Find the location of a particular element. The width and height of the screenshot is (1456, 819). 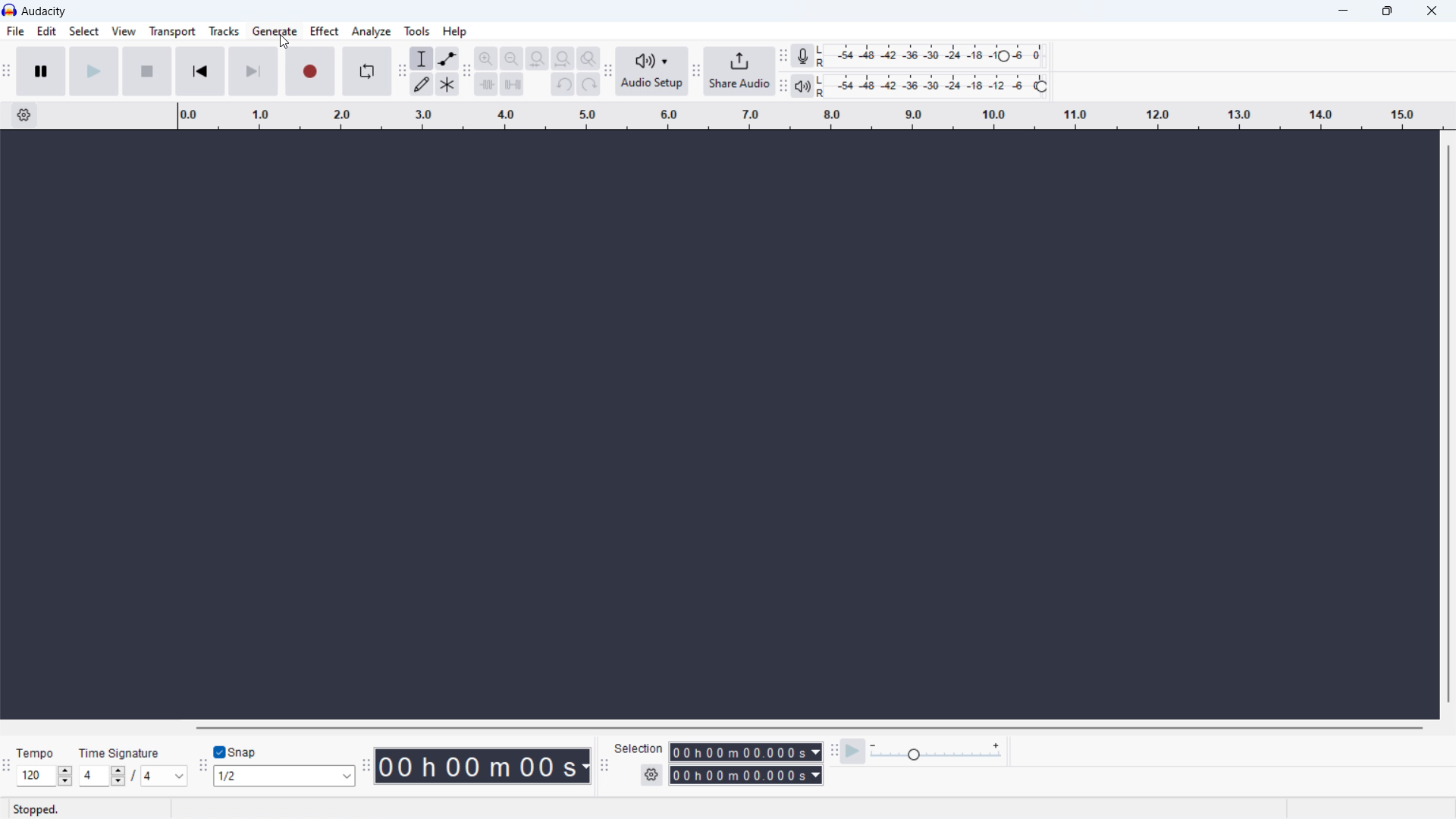

playback level is located at coordinates (941, 86).